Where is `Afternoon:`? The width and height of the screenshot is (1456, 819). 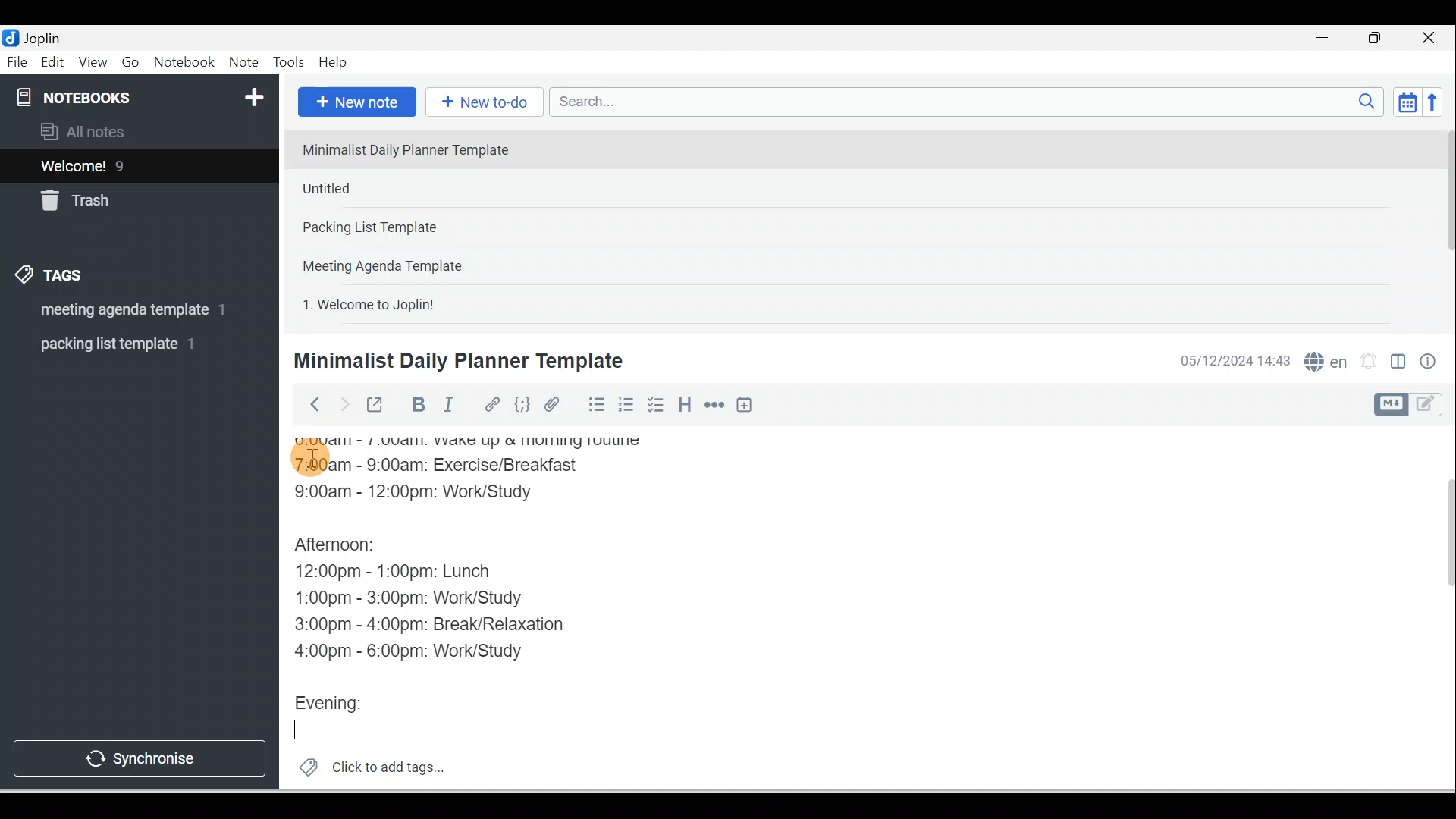 Afternoon: is located at coordinates (349, 545).